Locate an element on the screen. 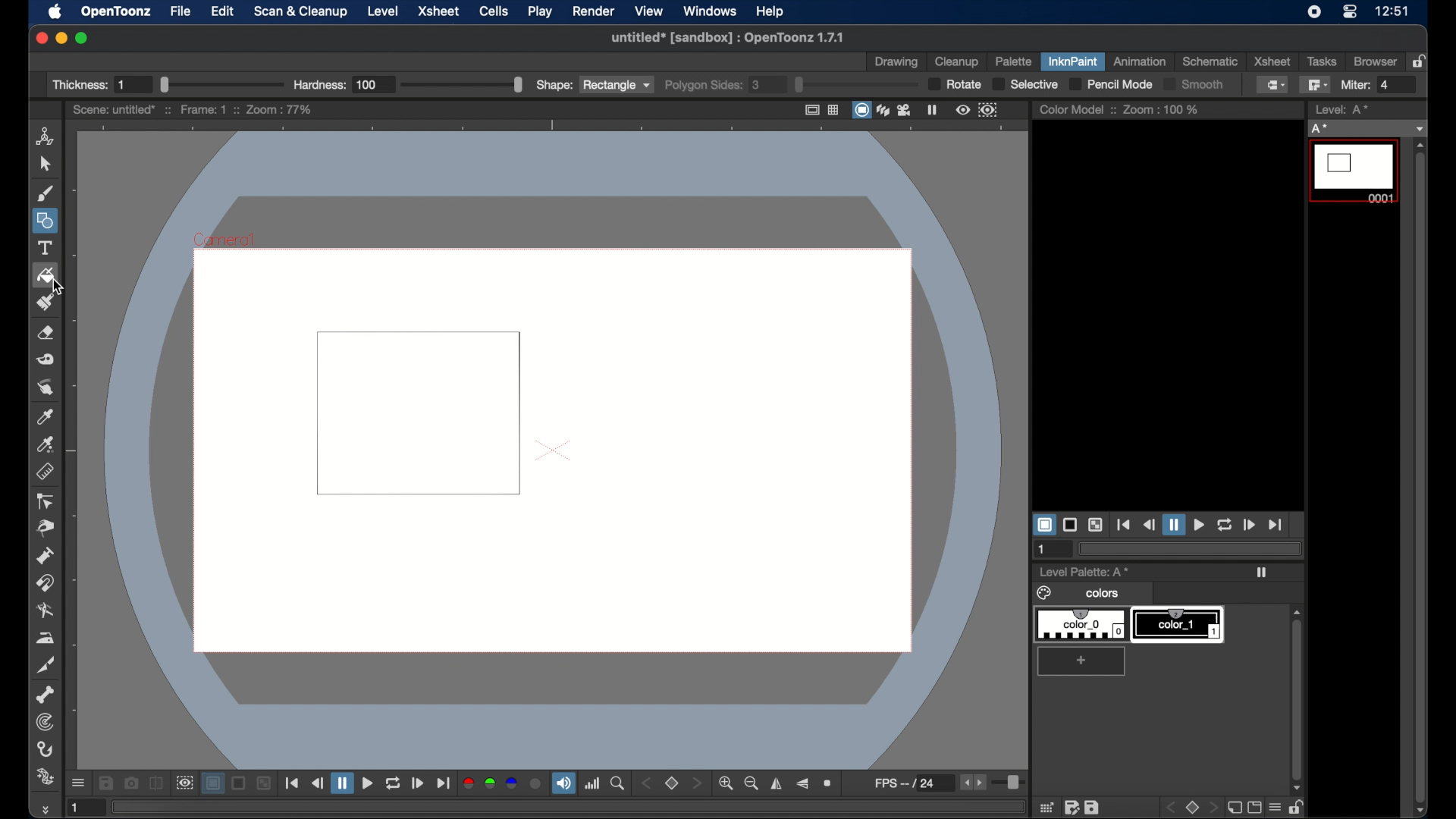 This screenshot has height=819, width=1456. maximize is located at coordinates (83, 38).